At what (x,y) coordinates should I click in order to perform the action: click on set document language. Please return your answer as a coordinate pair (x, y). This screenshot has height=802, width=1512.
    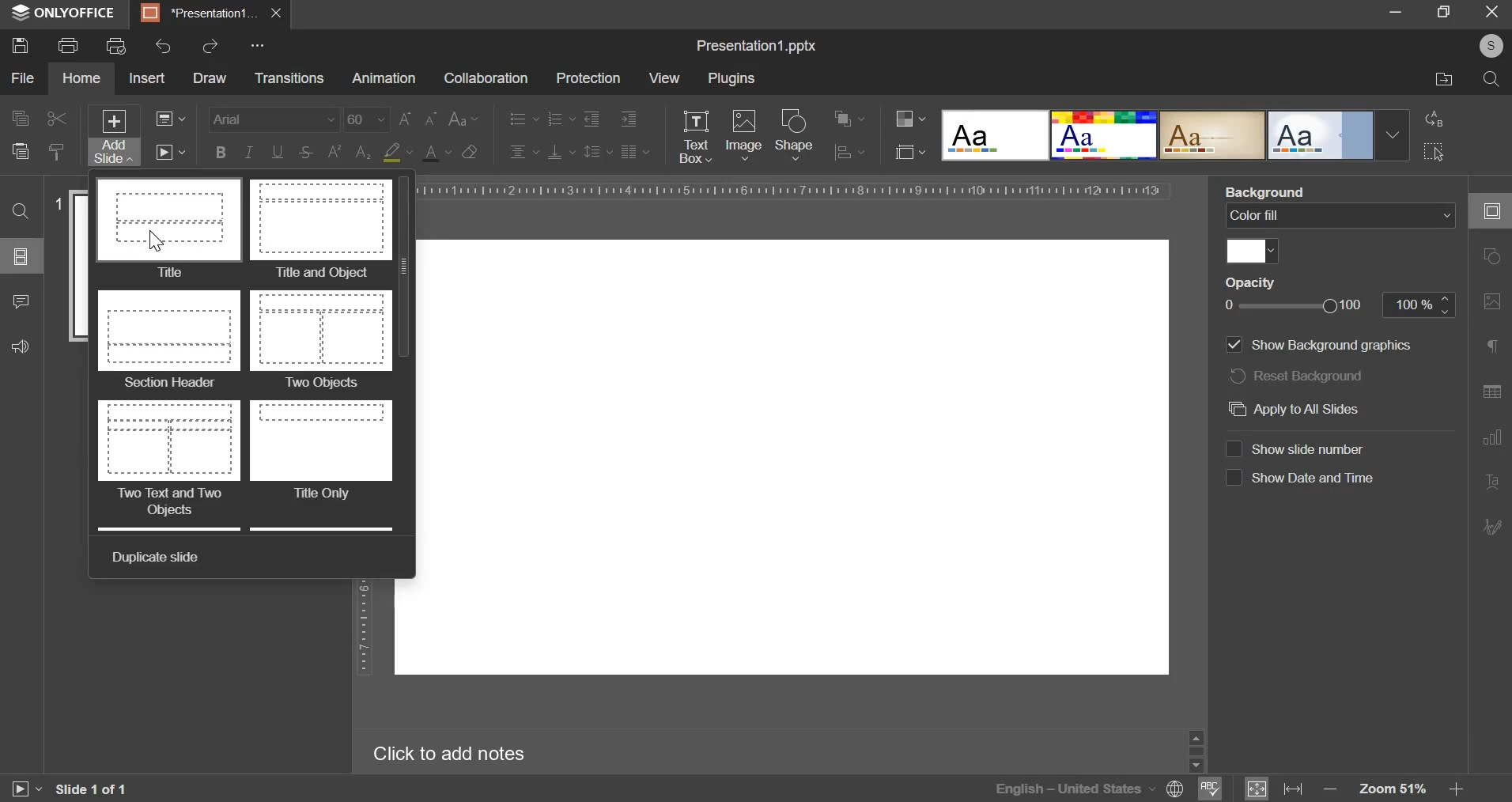
    Looking at the image, I should click on (1176, 789).